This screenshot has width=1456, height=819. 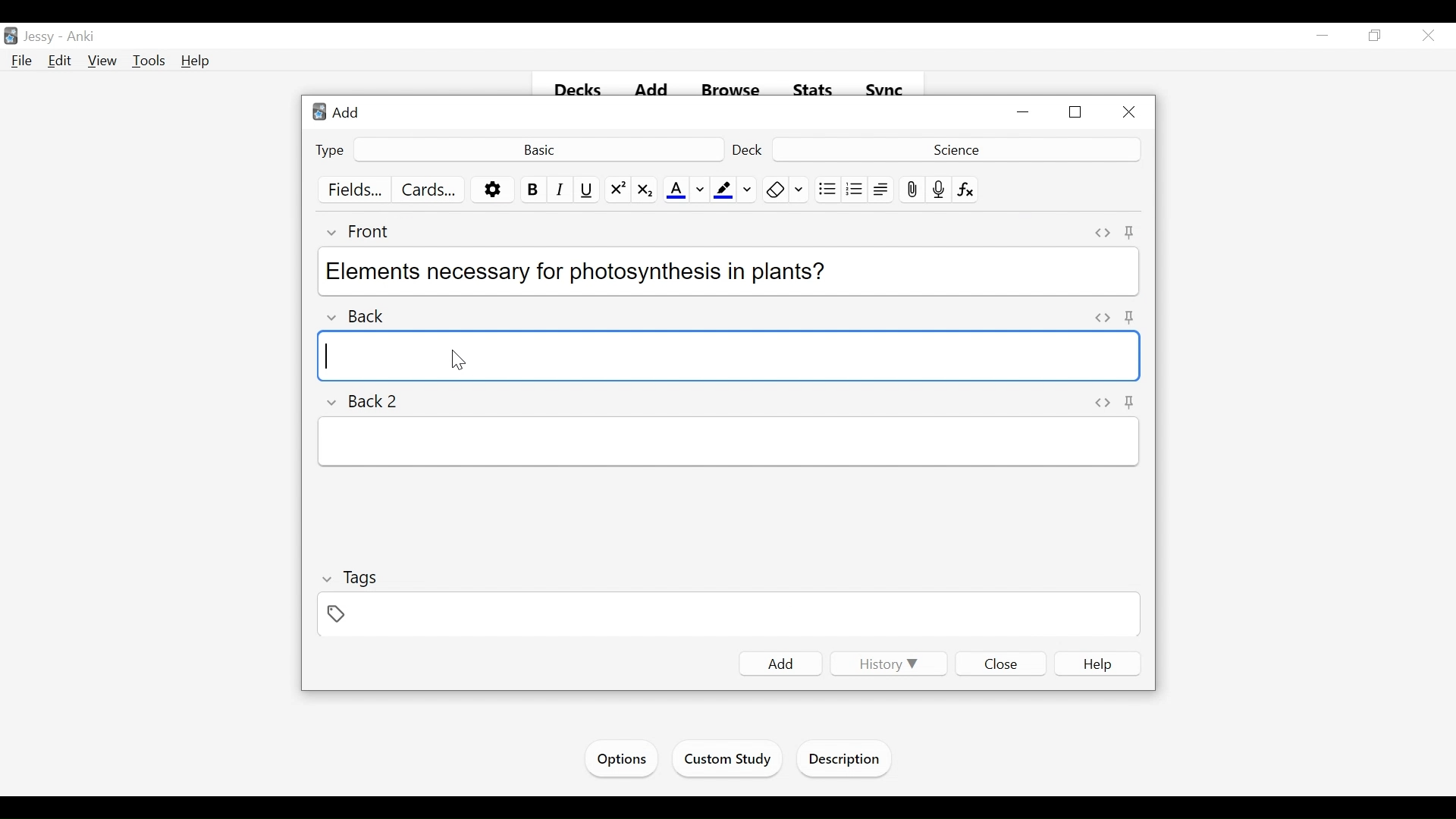 What do you see at coordinates (532, 190) in the screenshot?
I see `Bold` at bounding box center [532, 190].